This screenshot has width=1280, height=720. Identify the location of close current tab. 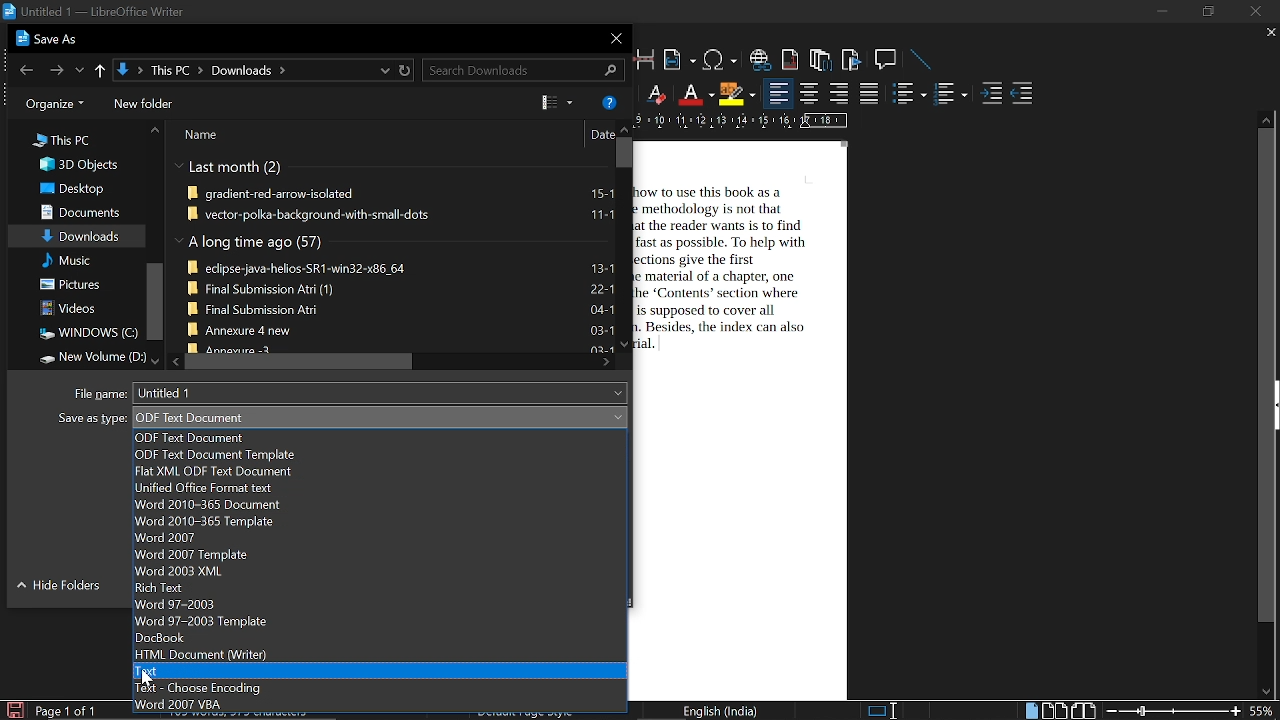
(1266, 33).